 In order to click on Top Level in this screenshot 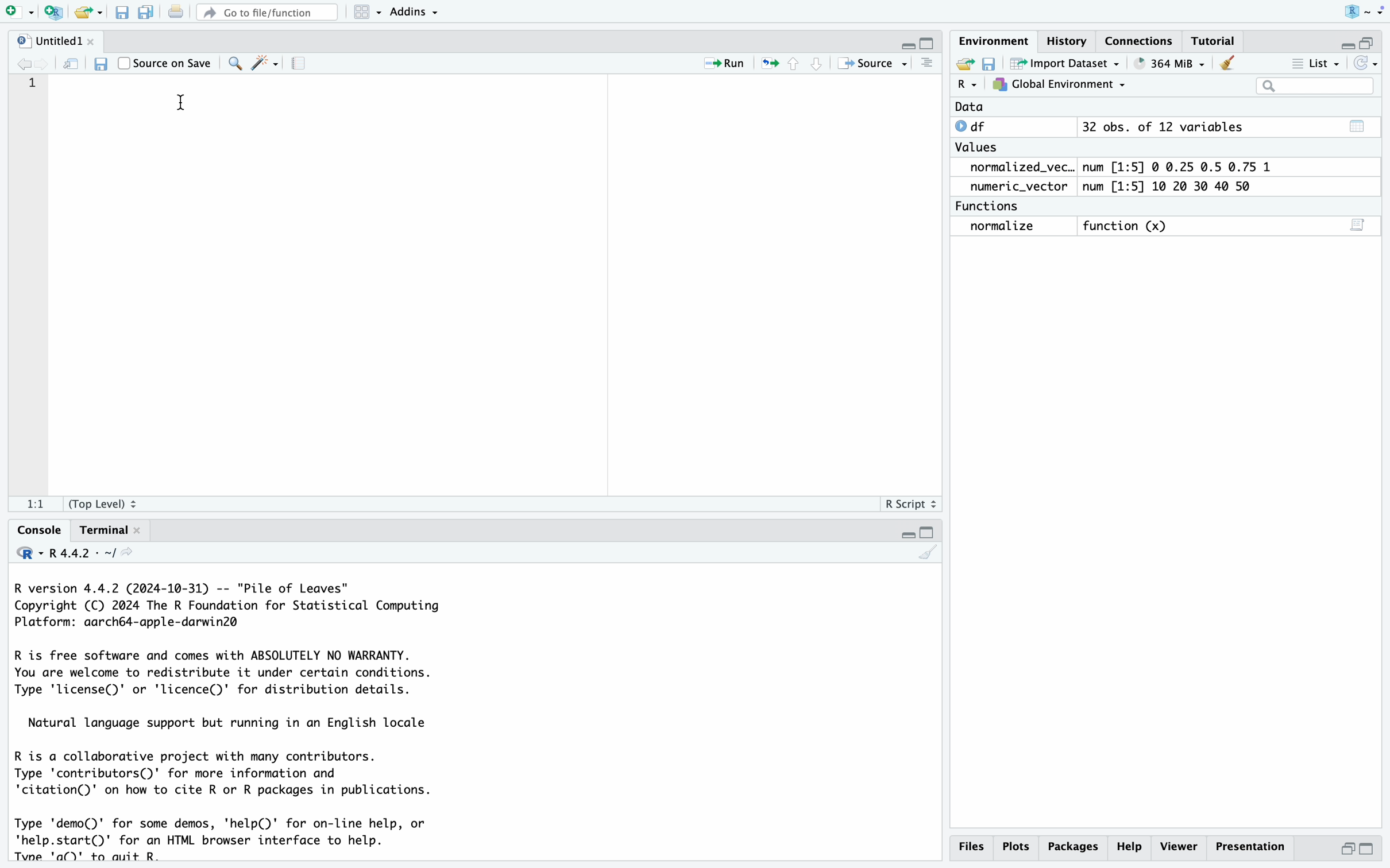, I will do `click(109, 503)`.